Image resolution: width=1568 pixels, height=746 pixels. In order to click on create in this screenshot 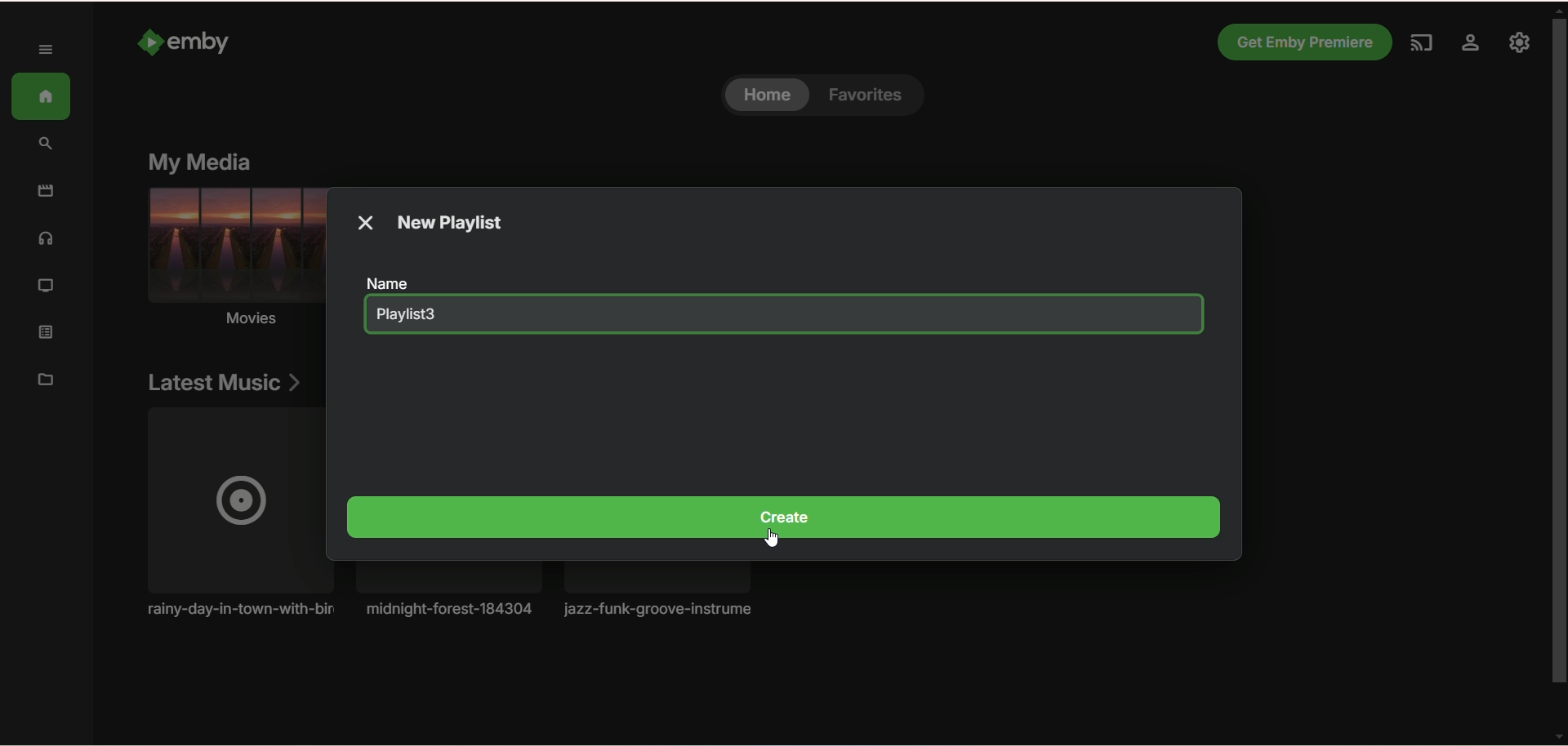, I will do `click(785, 517)`.